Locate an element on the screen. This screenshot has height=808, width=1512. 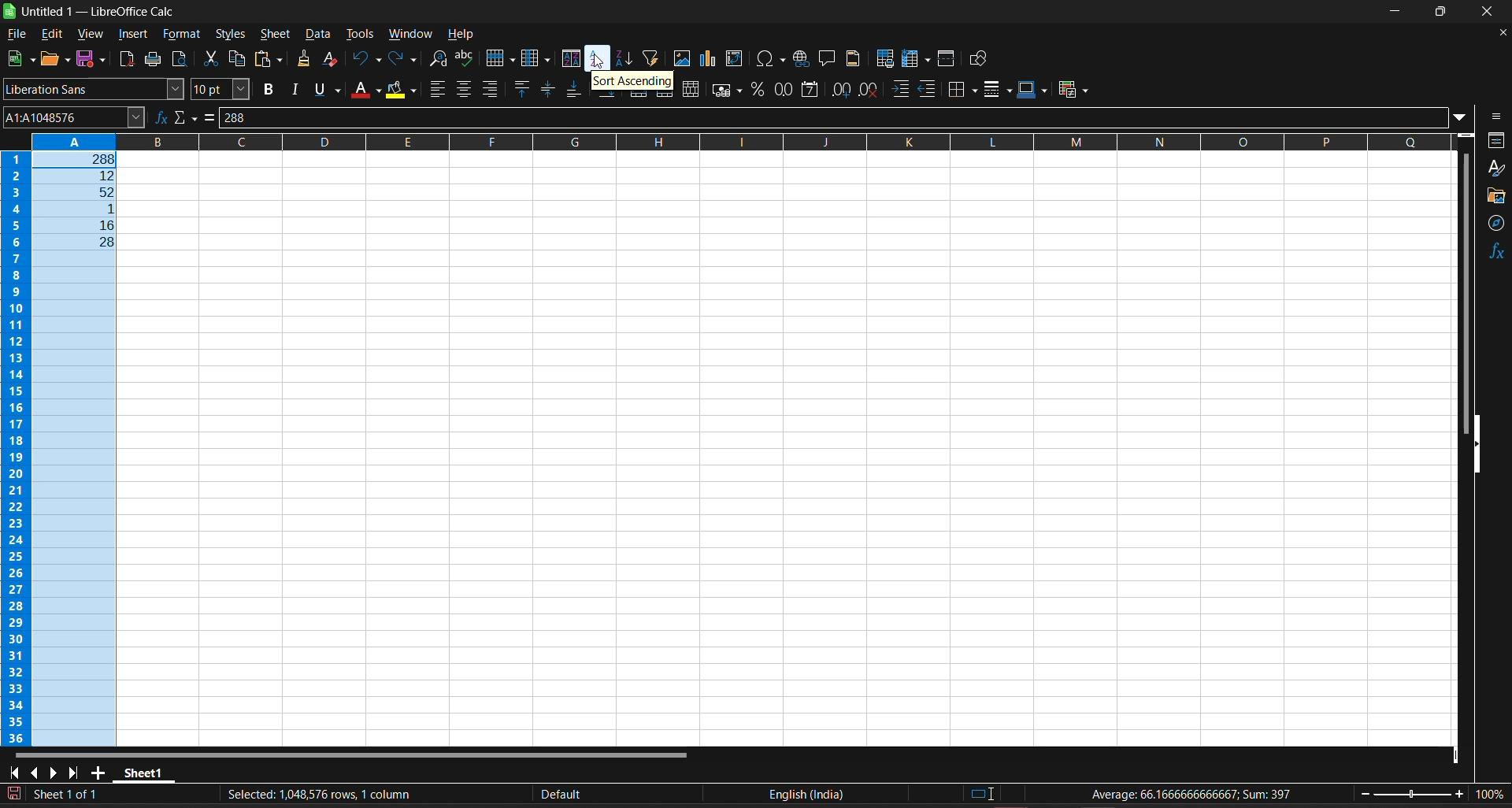
export directly as PDF is located at coordinates (126, 61).